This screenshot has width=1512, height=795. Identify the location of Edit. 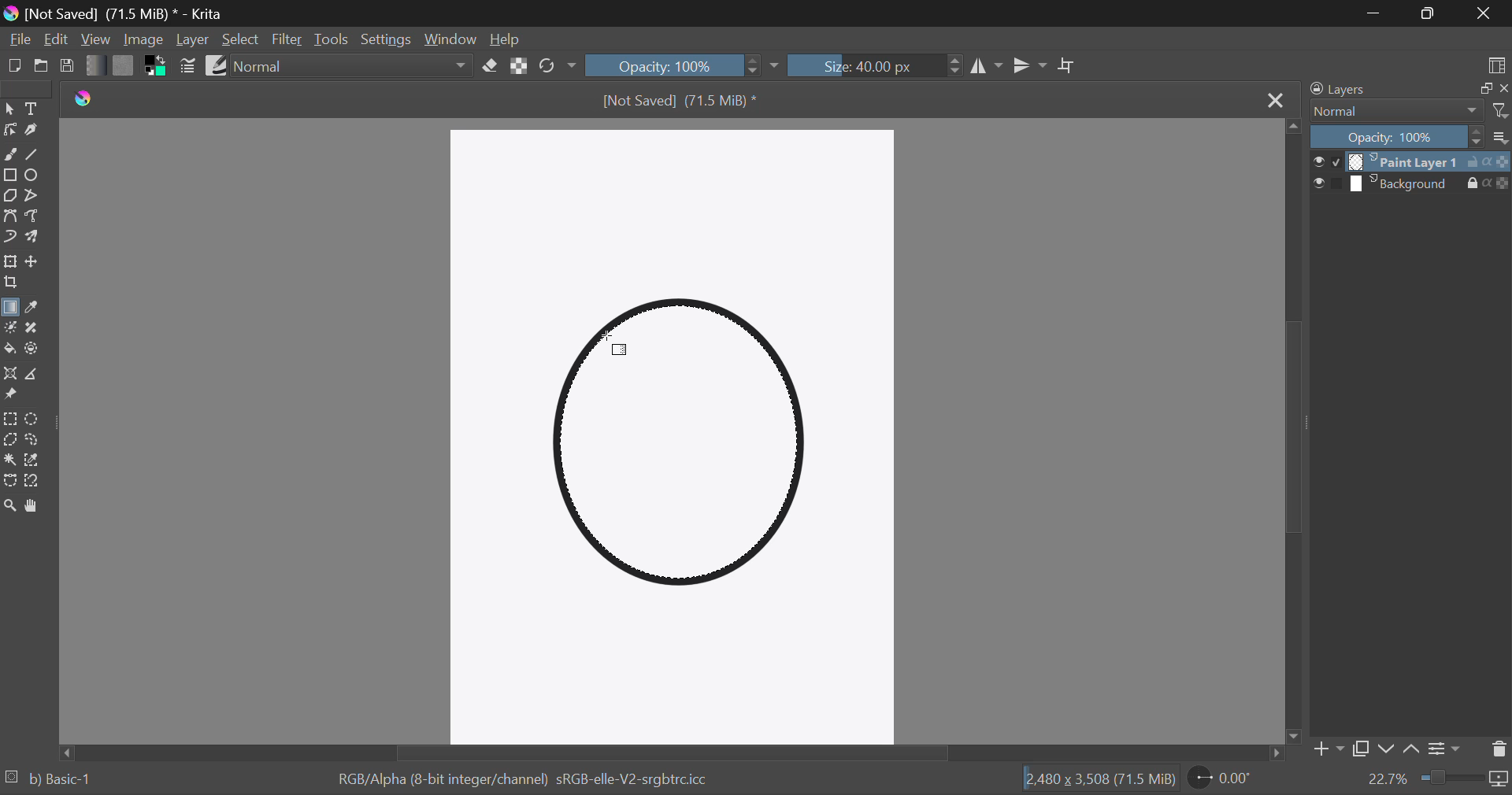
(55, 38).